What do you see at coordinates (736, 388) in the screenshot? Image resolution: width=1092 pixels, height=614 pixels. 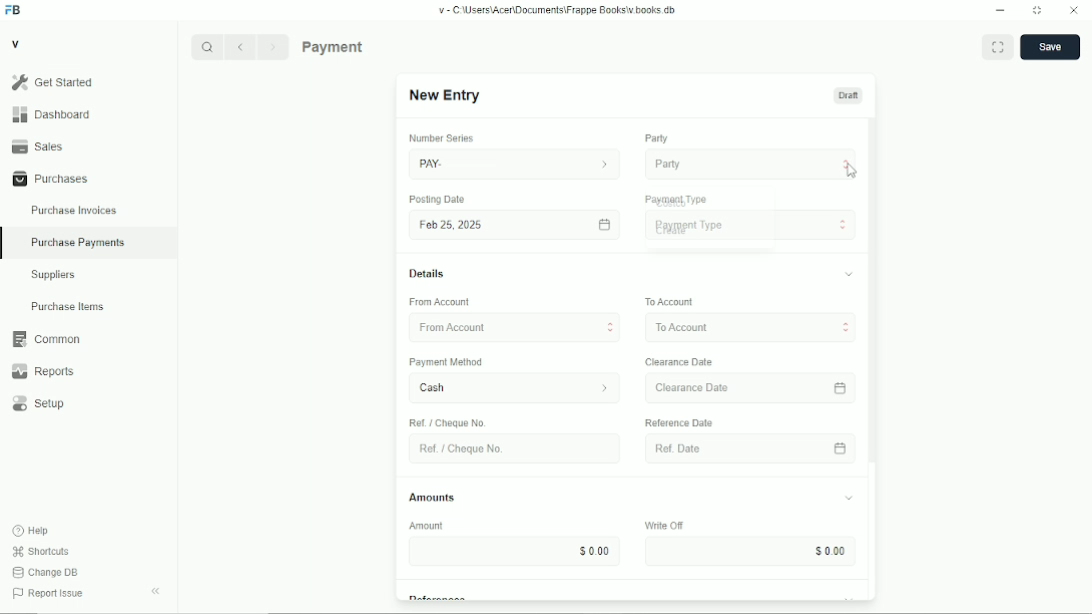 I see `Clearance Date` at bounding box center [736, 388].